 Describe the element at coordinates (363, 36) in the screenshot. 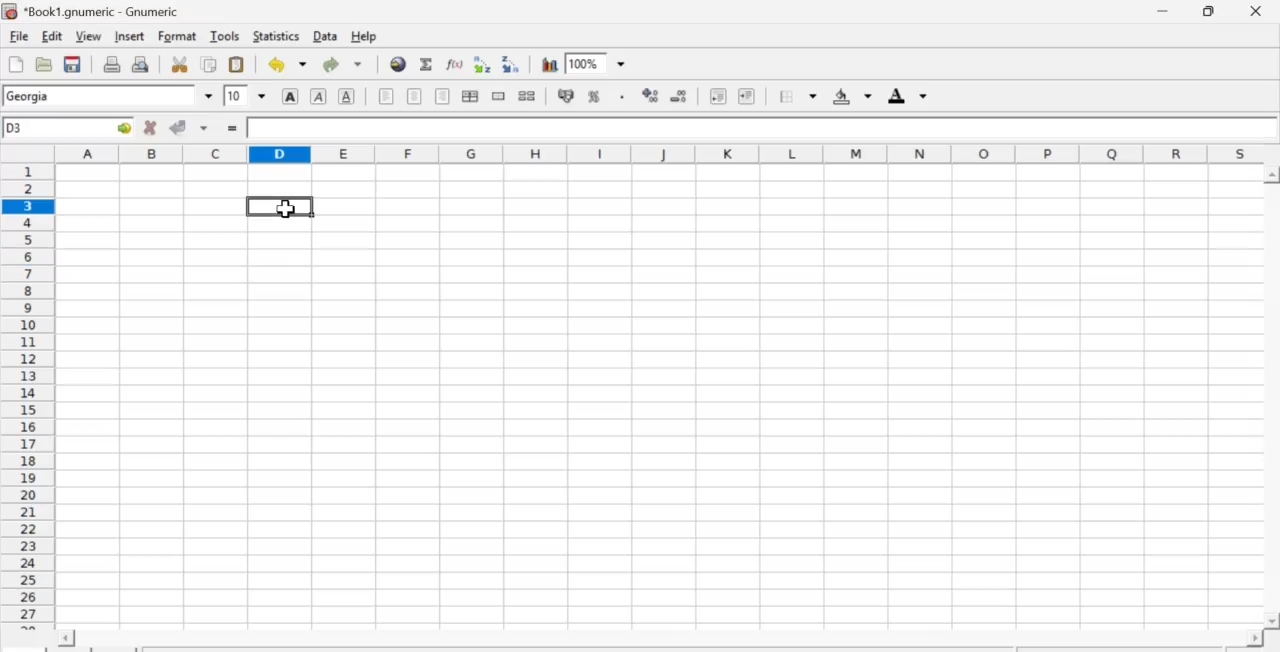

I see `Help` at that location.